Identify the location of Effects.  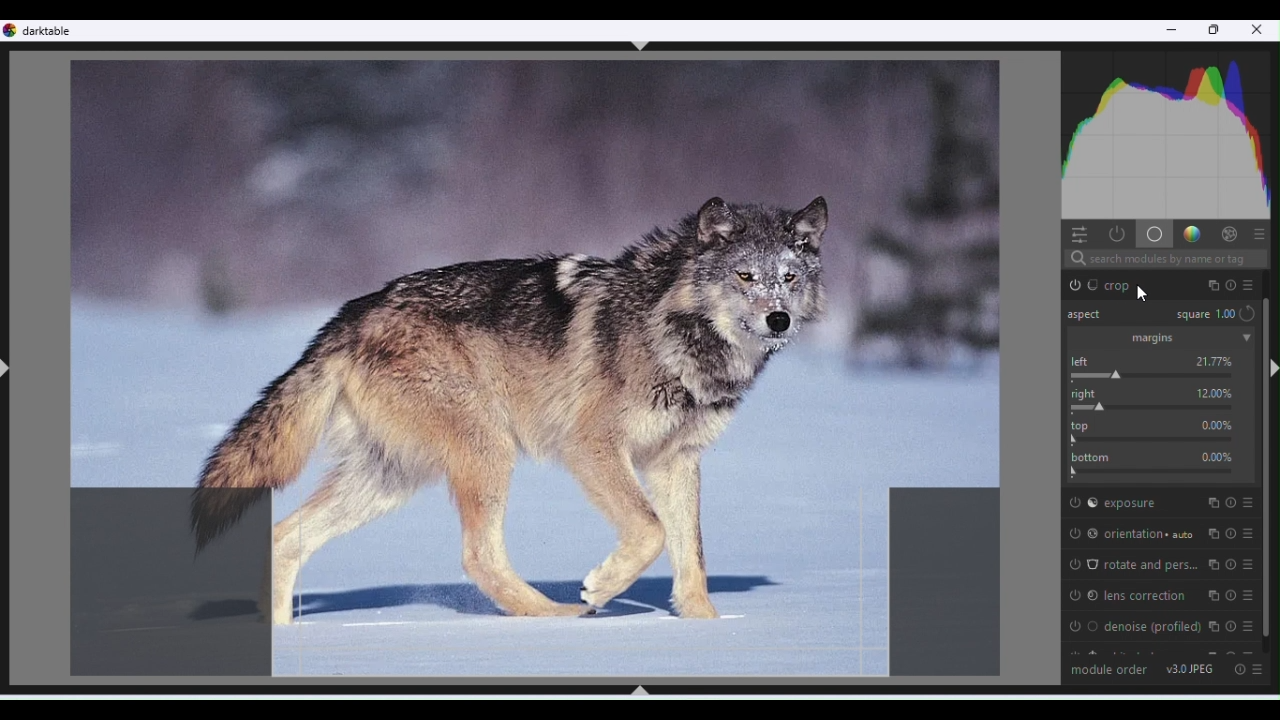
(1229, 233).